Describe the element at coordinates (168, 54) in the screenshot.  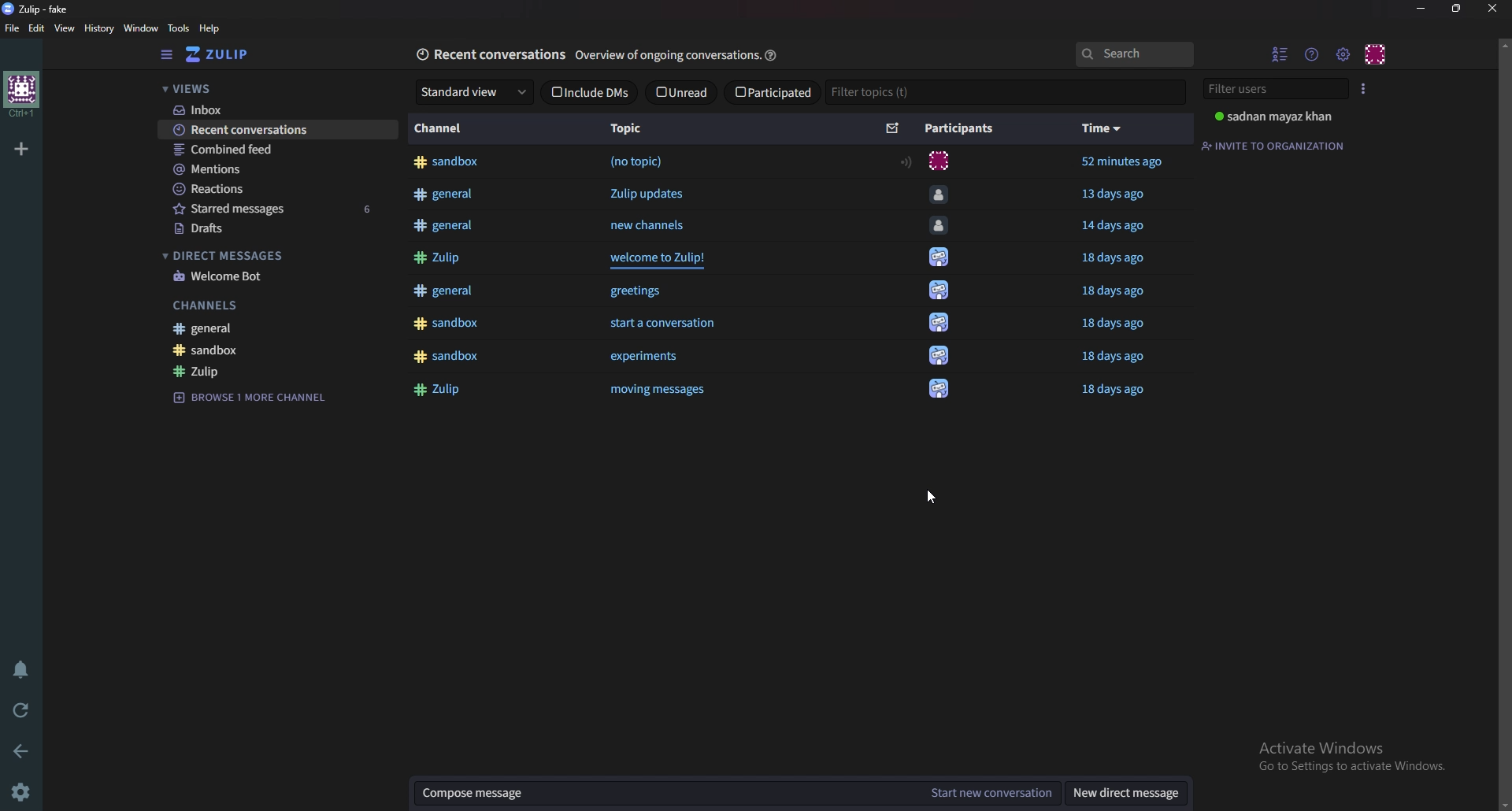
I see `Hide sidebar` at that location.